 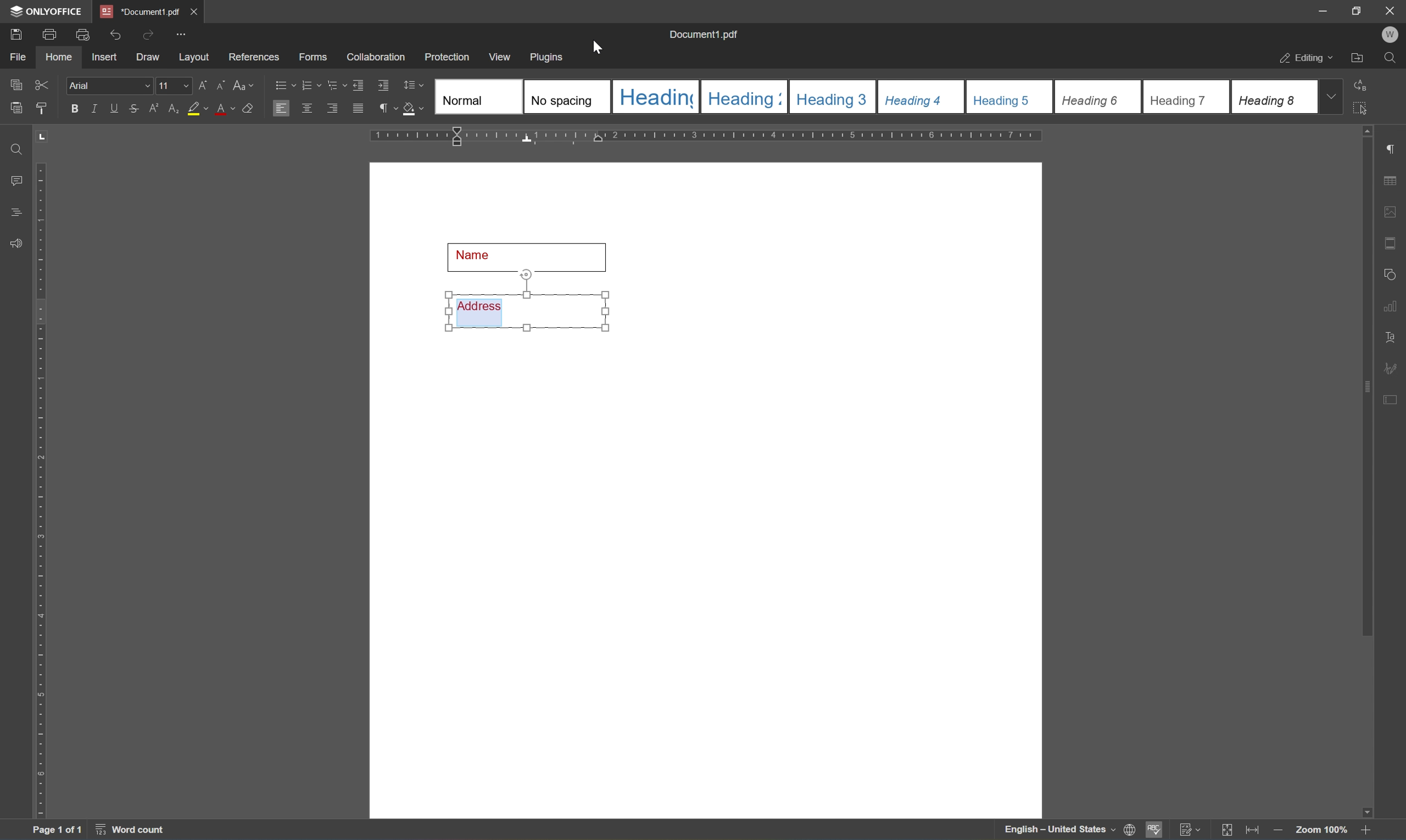 I want to click on increase indent, so click(x=384, y=85).